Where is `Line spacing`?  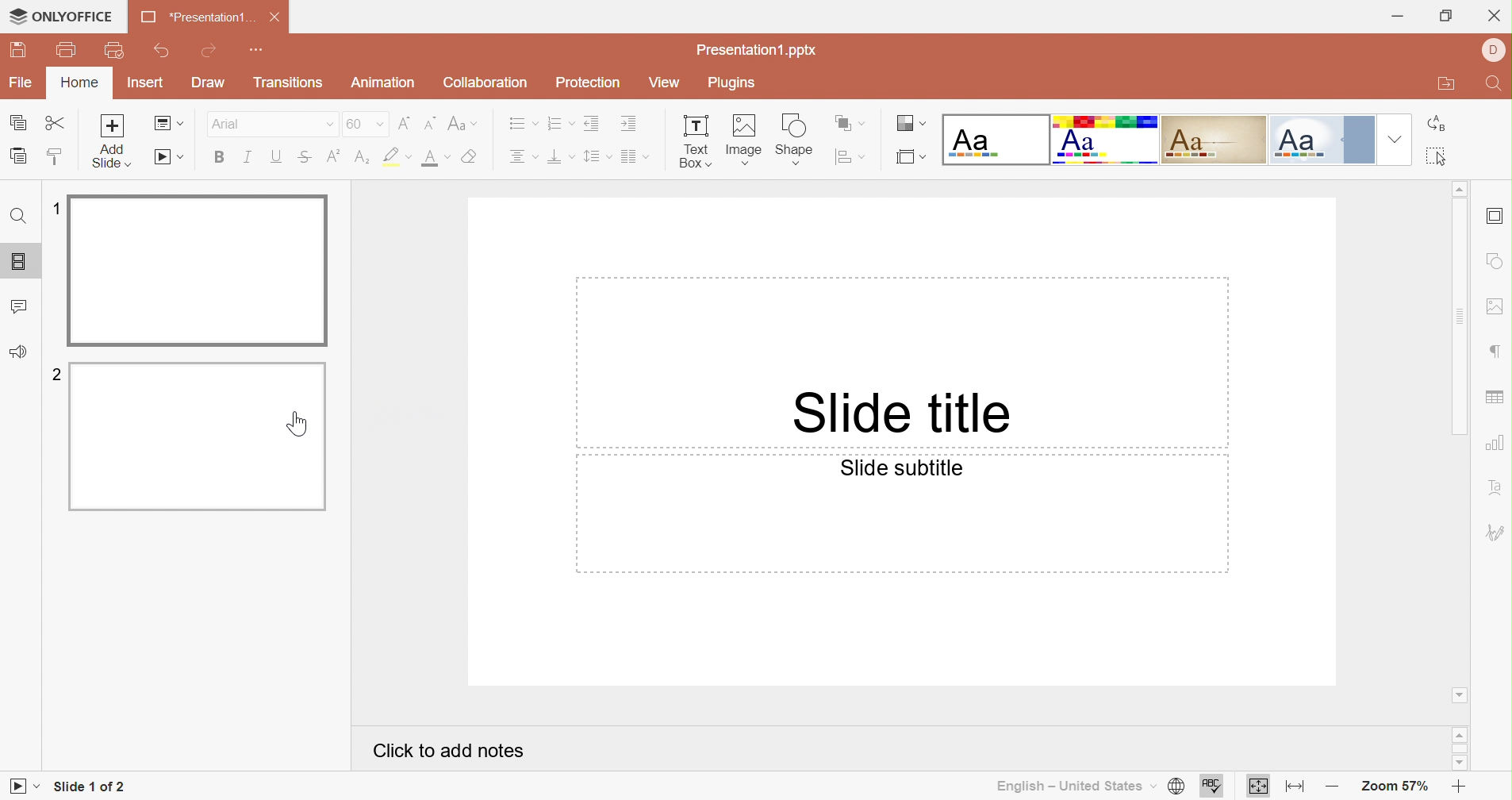
Line spacing is located at coordinates (598, 156).